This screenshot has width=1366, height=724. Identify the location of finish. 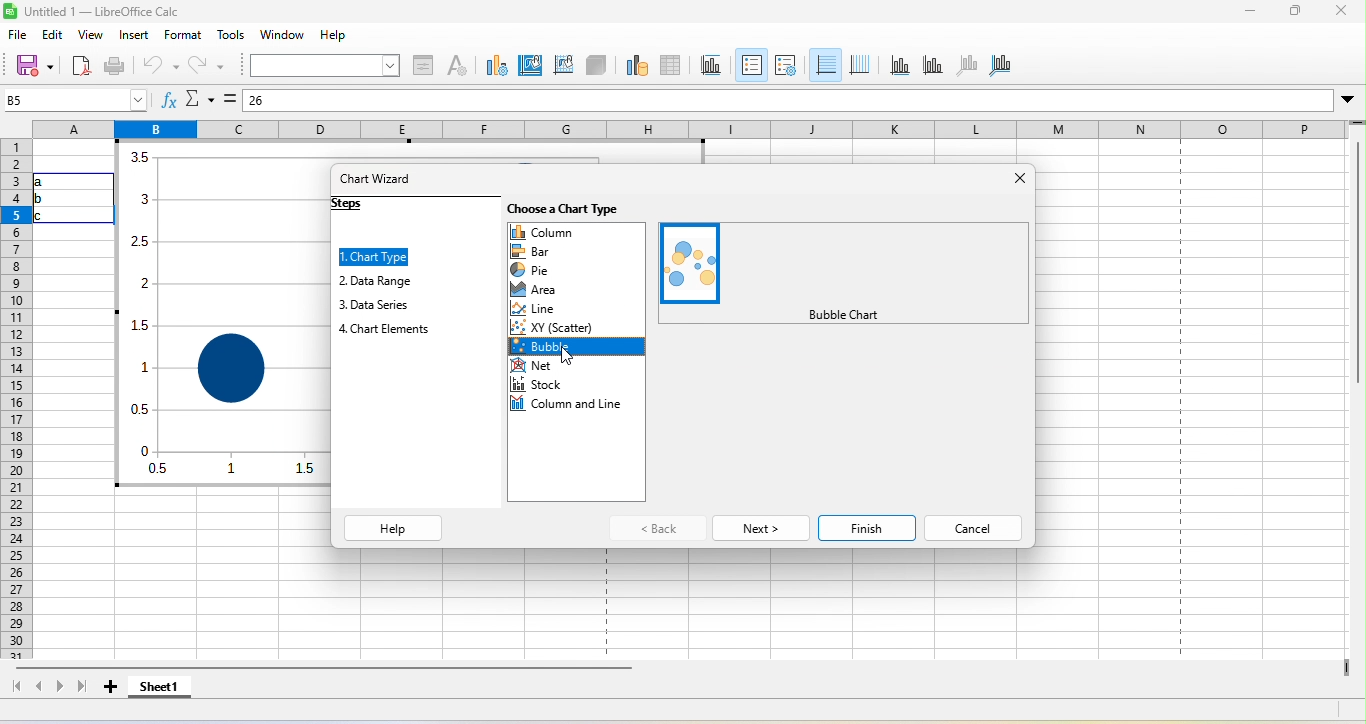
(867, 524).